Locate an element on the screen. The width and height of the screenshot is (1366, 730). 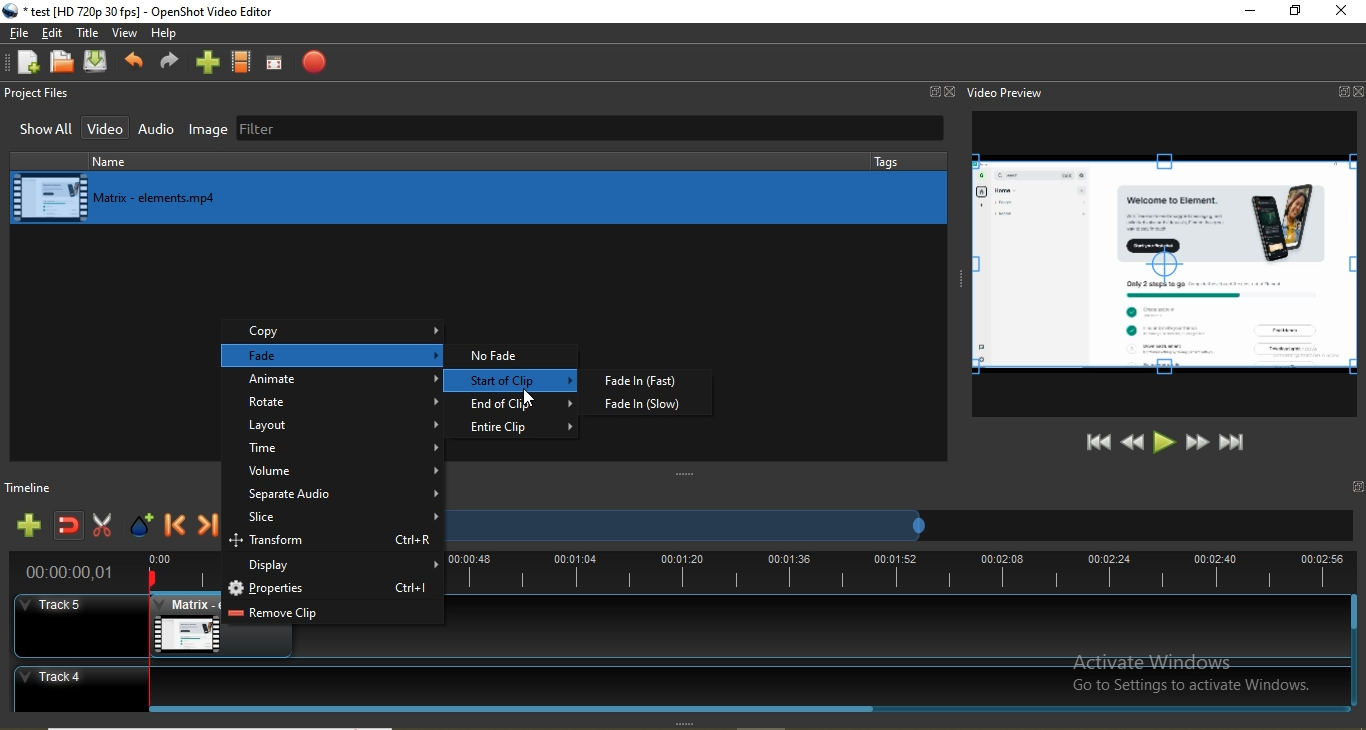
time is located at coordinates (72, 574).